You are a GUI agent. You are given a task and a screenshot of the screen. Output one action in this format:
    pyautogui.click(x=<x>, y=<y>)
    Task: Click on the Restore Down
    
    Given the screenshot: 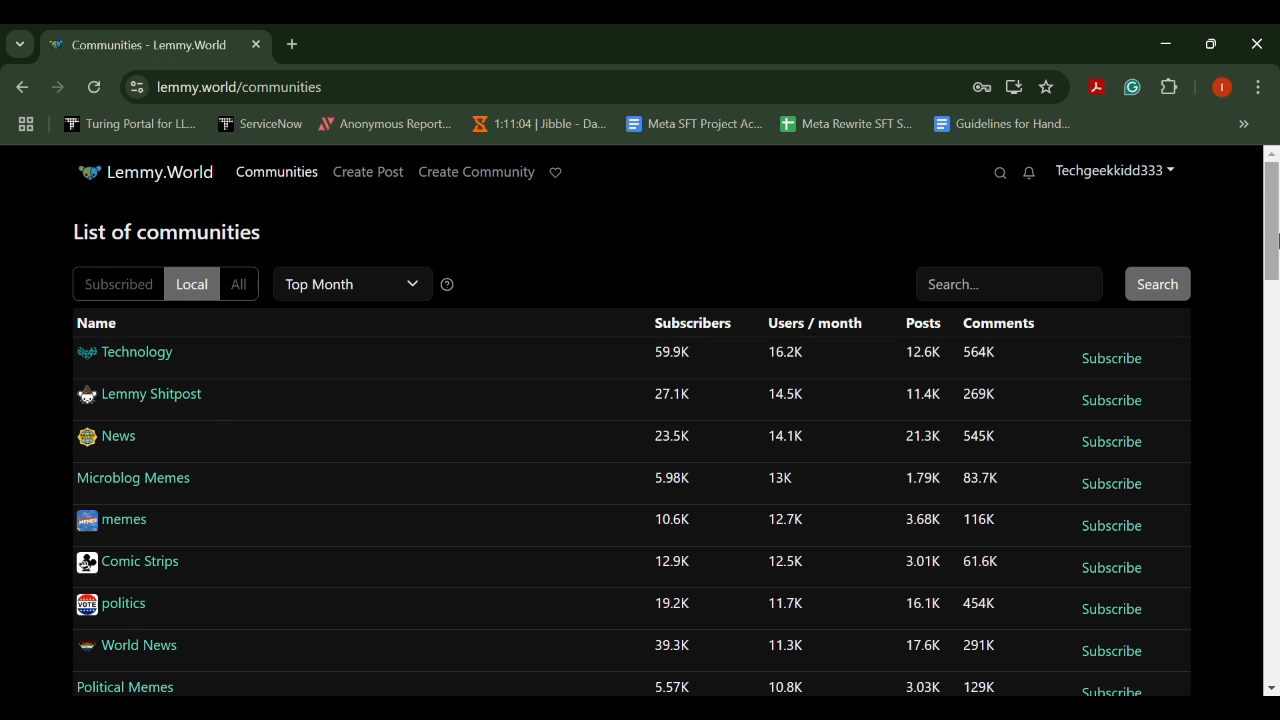 What is the action you would take?
    pyautogui.click(x=1170, y=43)
    